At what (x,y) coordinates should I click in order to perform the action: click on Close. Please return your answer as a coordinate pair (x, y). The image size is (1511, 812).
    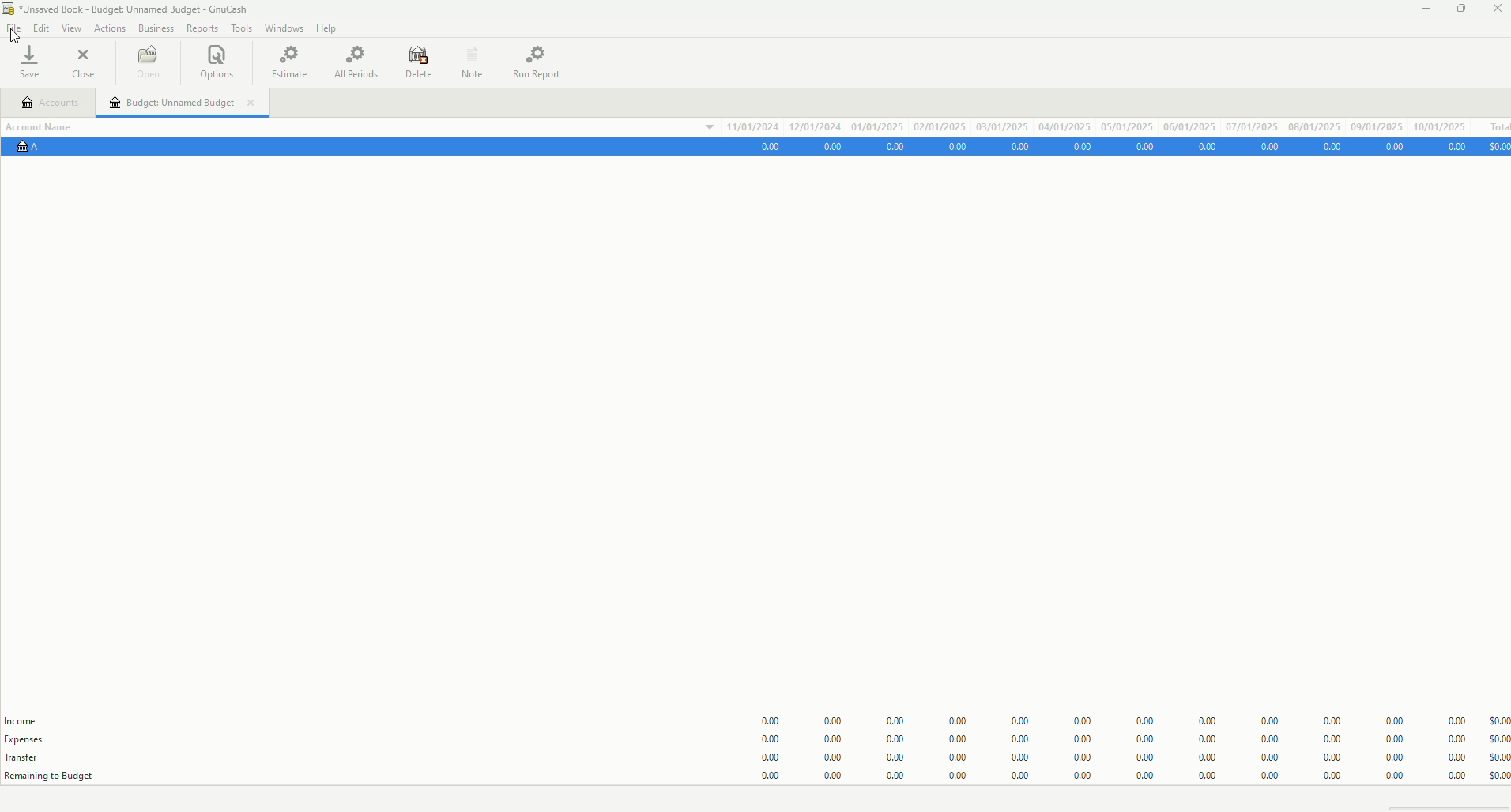
    Looking at the image, I should click on (87, 61).